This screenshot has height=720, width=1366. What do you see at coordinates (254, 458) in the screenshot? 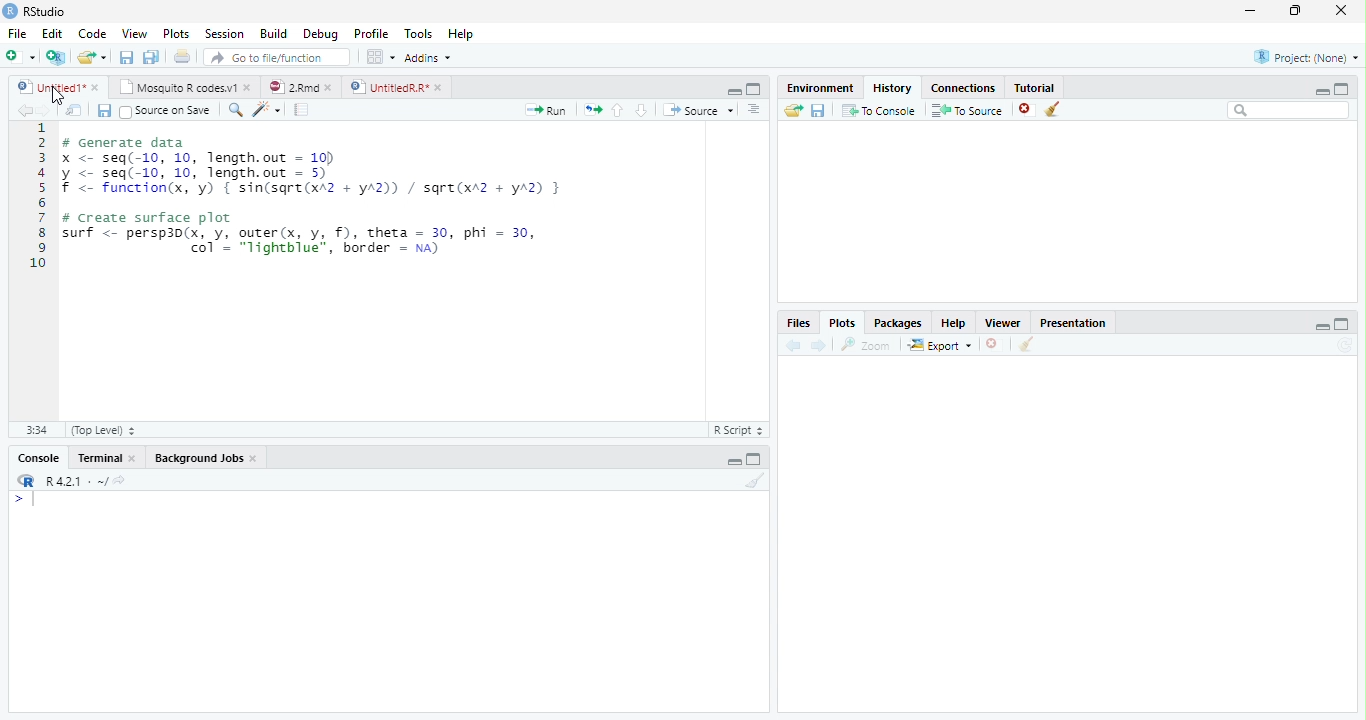
I see `Close` at bounding box center [254, 458].